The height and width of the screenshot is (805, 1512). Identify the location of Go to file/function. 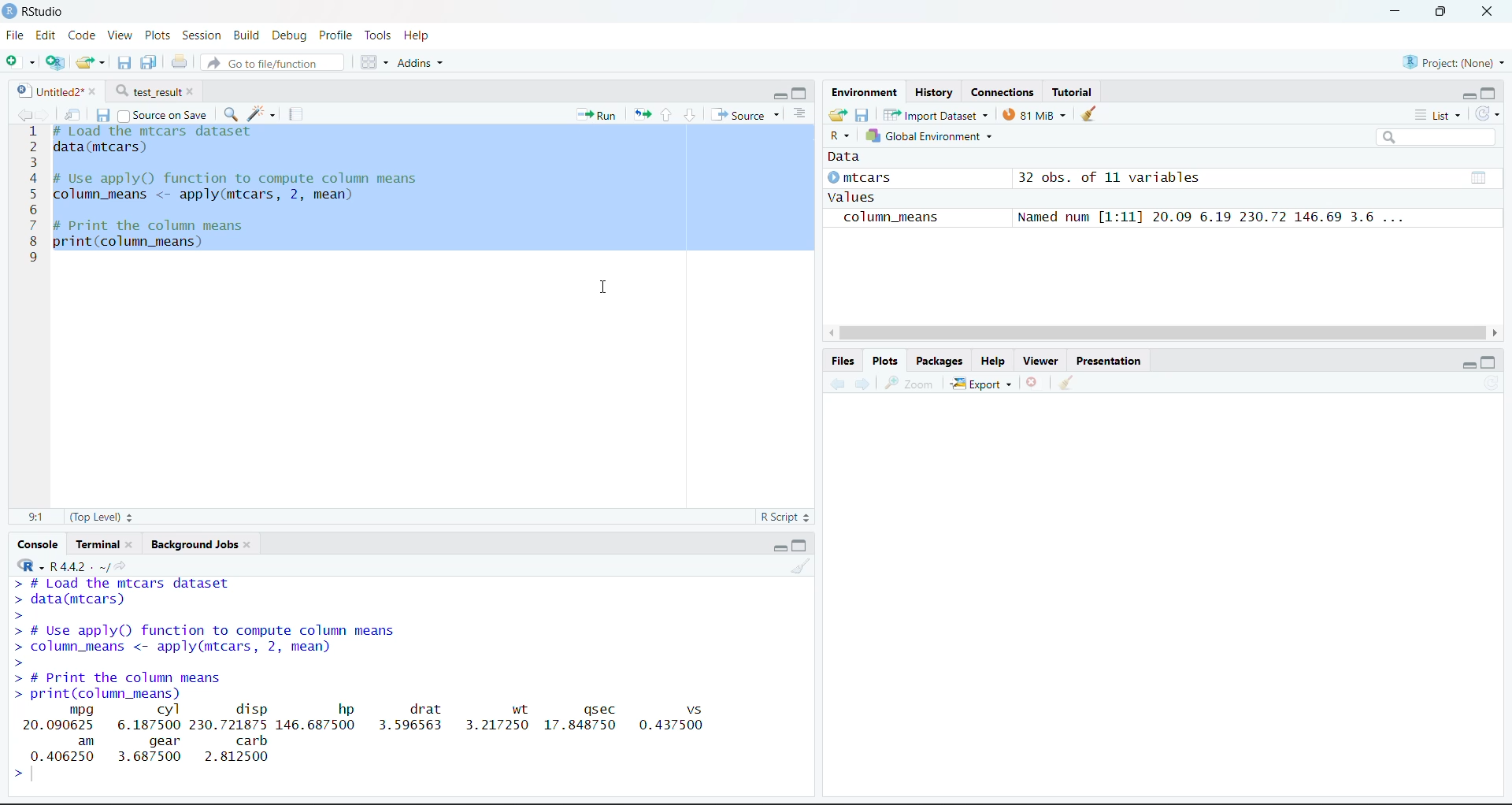
(273, 63).